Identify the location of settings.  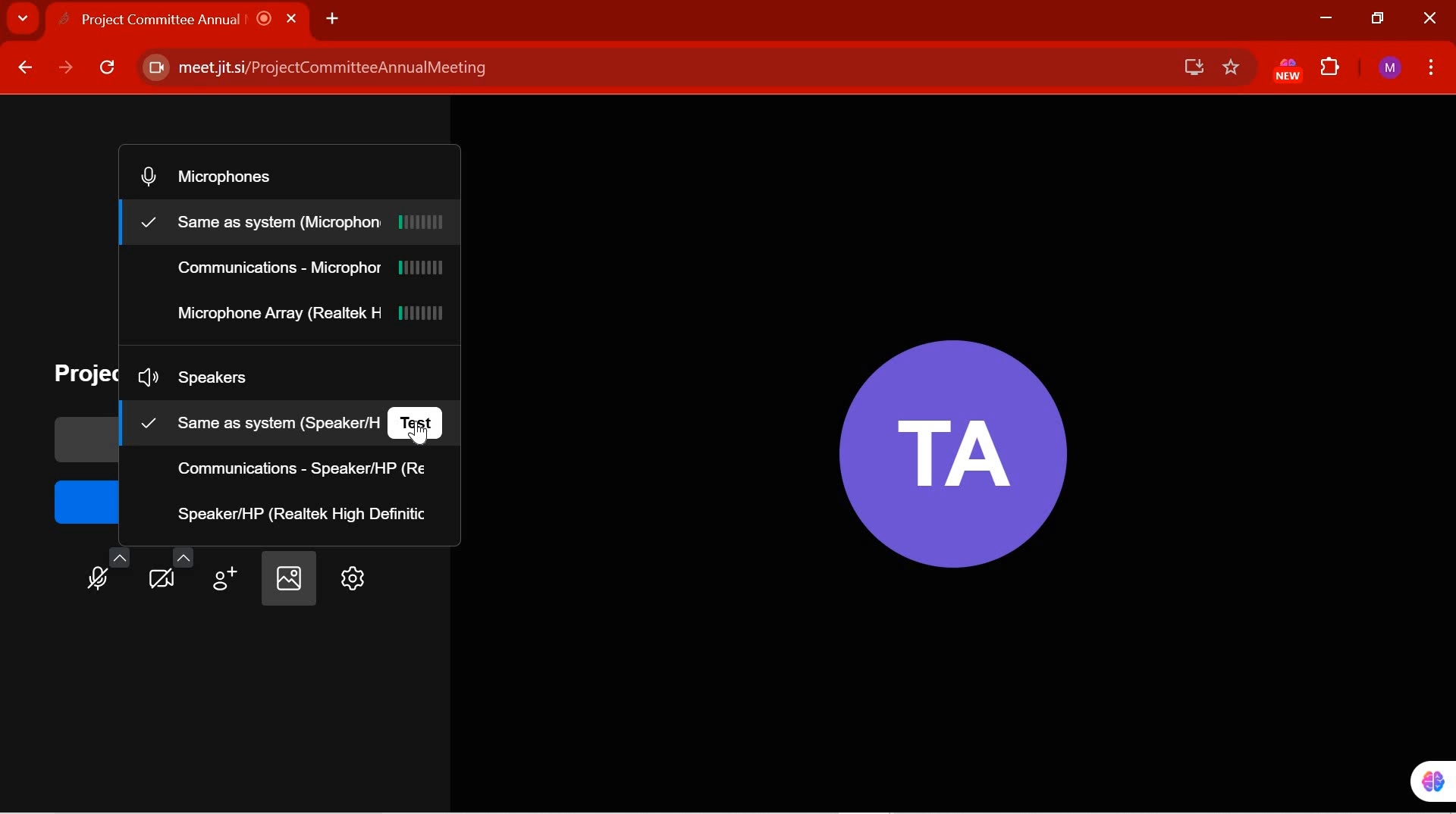
(350, 579).